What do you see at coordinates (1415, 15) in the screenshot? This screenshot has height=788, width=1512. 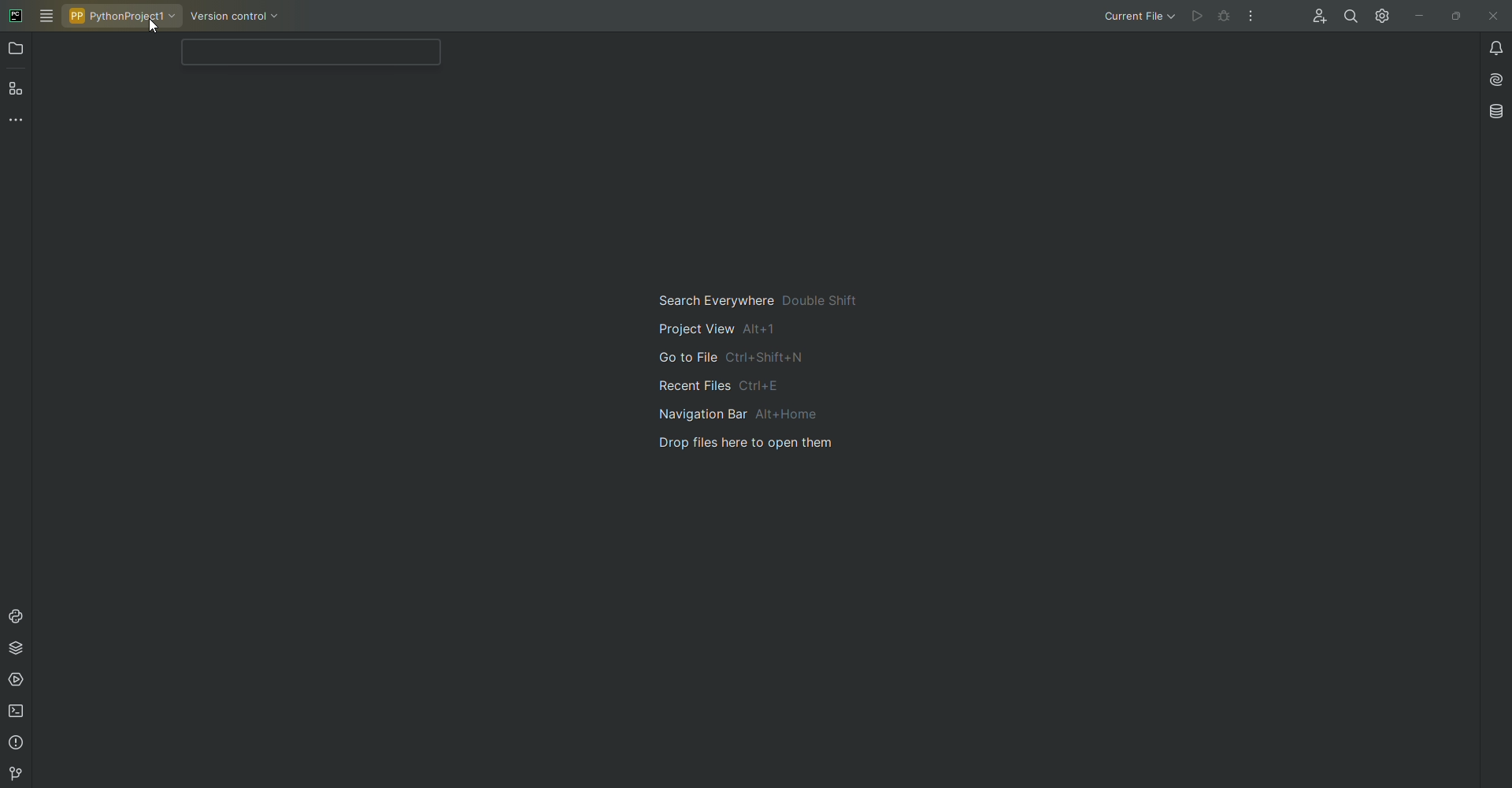 I see `Minimize` at bounding box center [1415, 15].